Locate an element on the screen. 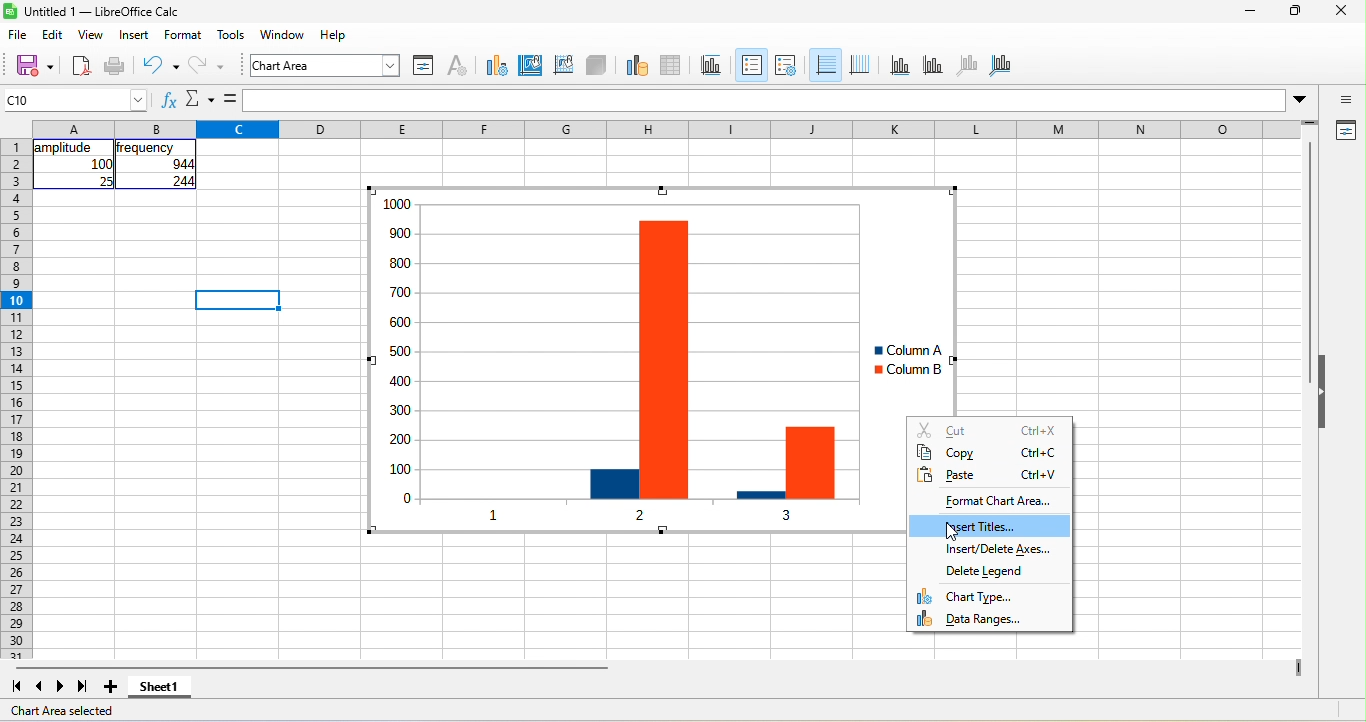 This screenshot has height=722, width=1366. data table is located at coordinates (672, 66).